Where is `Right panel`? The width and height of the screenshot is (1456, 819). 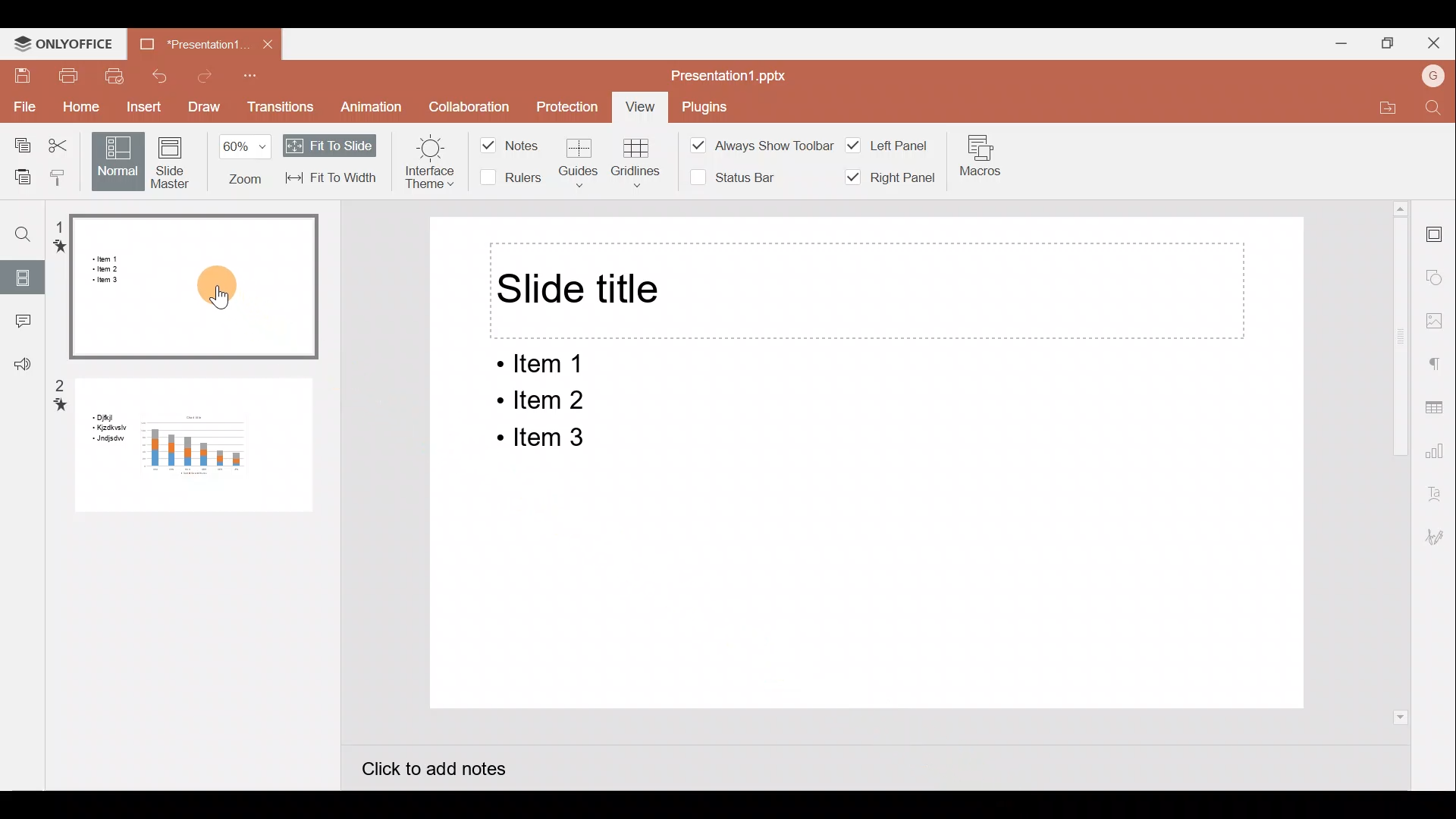
Right panel is located at coordinates (896, 183).